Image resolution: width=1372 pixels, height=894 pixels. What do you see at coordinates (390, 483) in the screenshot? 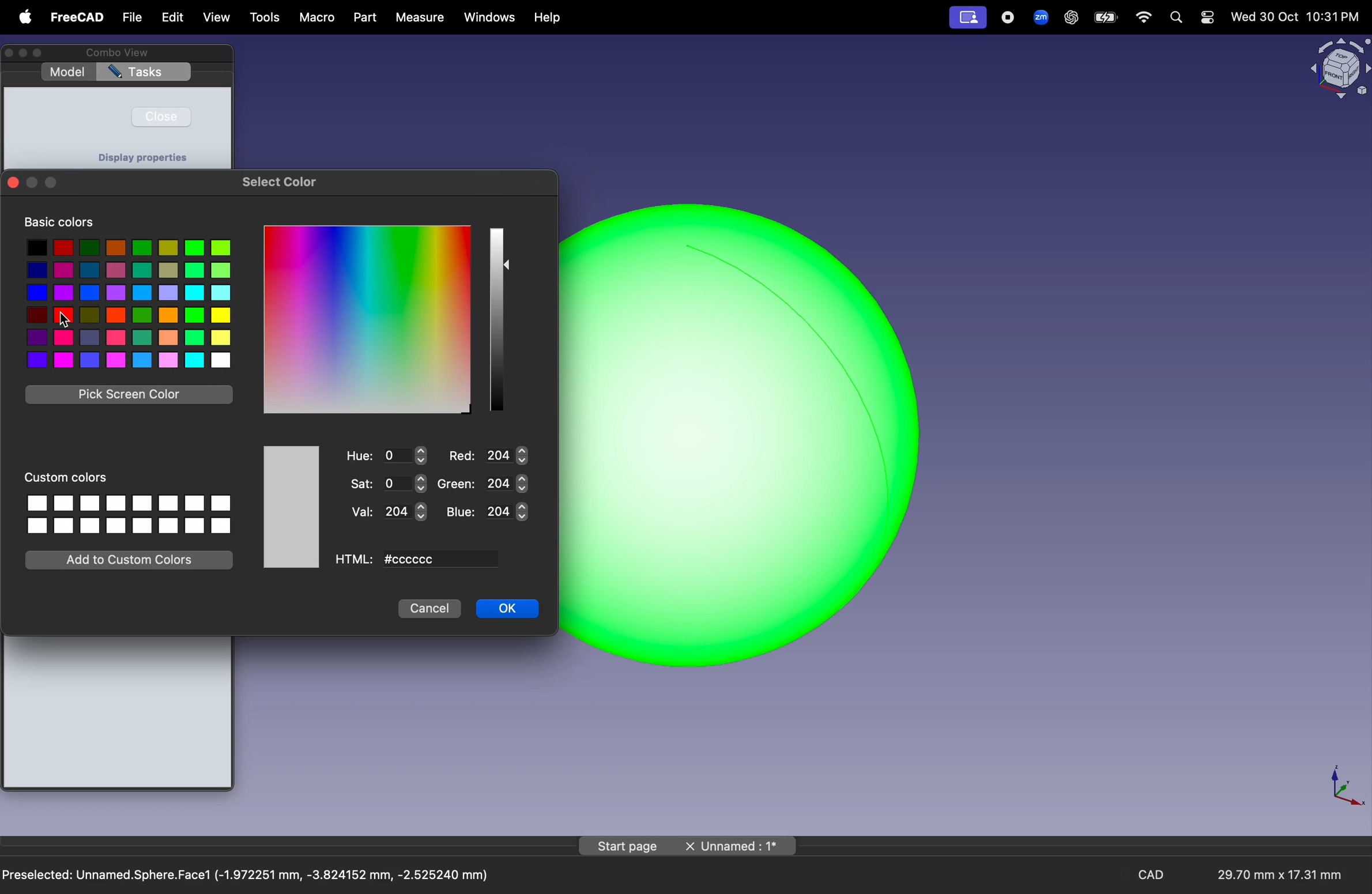
I see `salt` at bounding box center [390, 483].